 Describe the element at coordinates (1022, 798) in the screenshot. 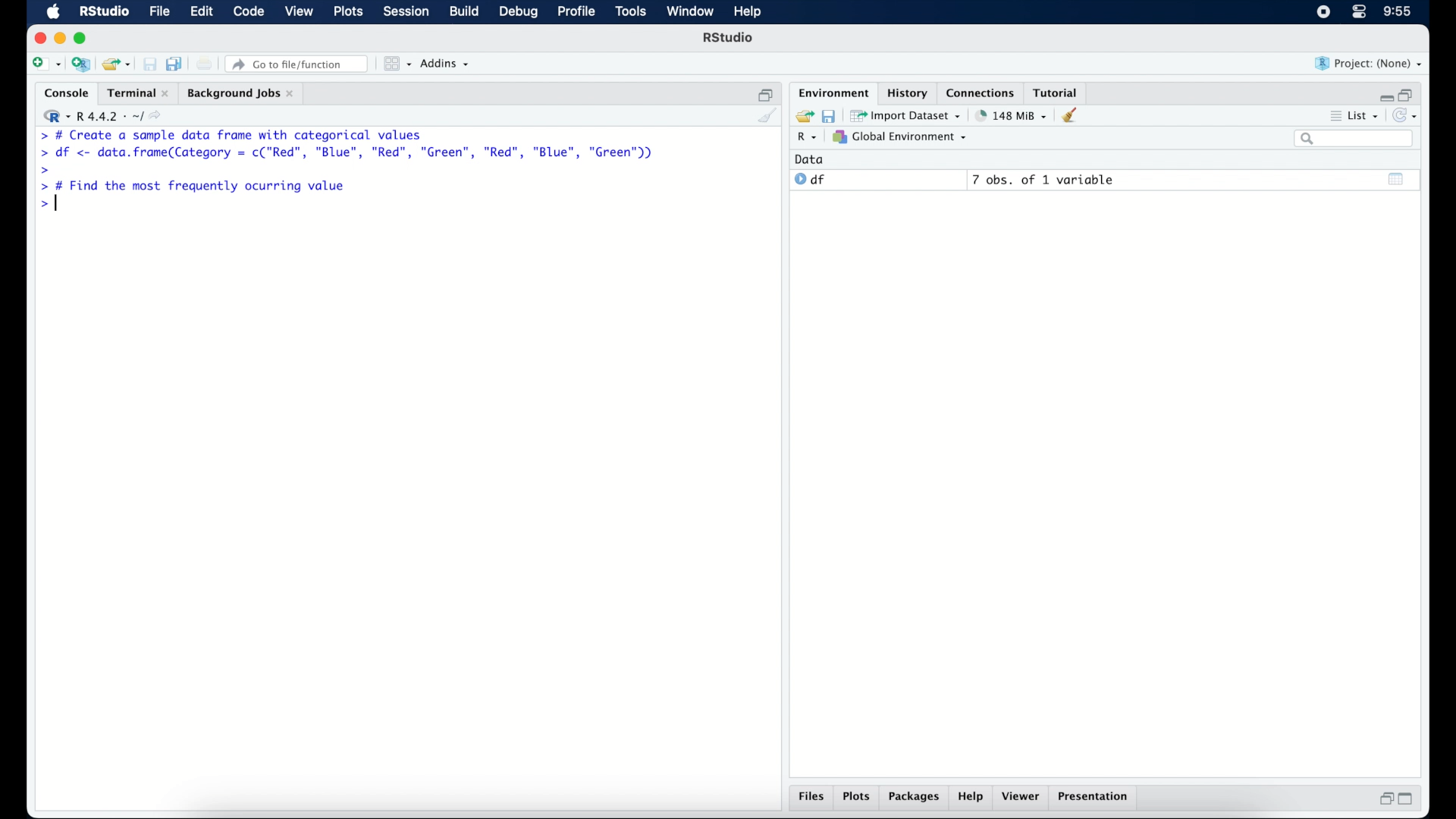

I see `viewer` at that location.